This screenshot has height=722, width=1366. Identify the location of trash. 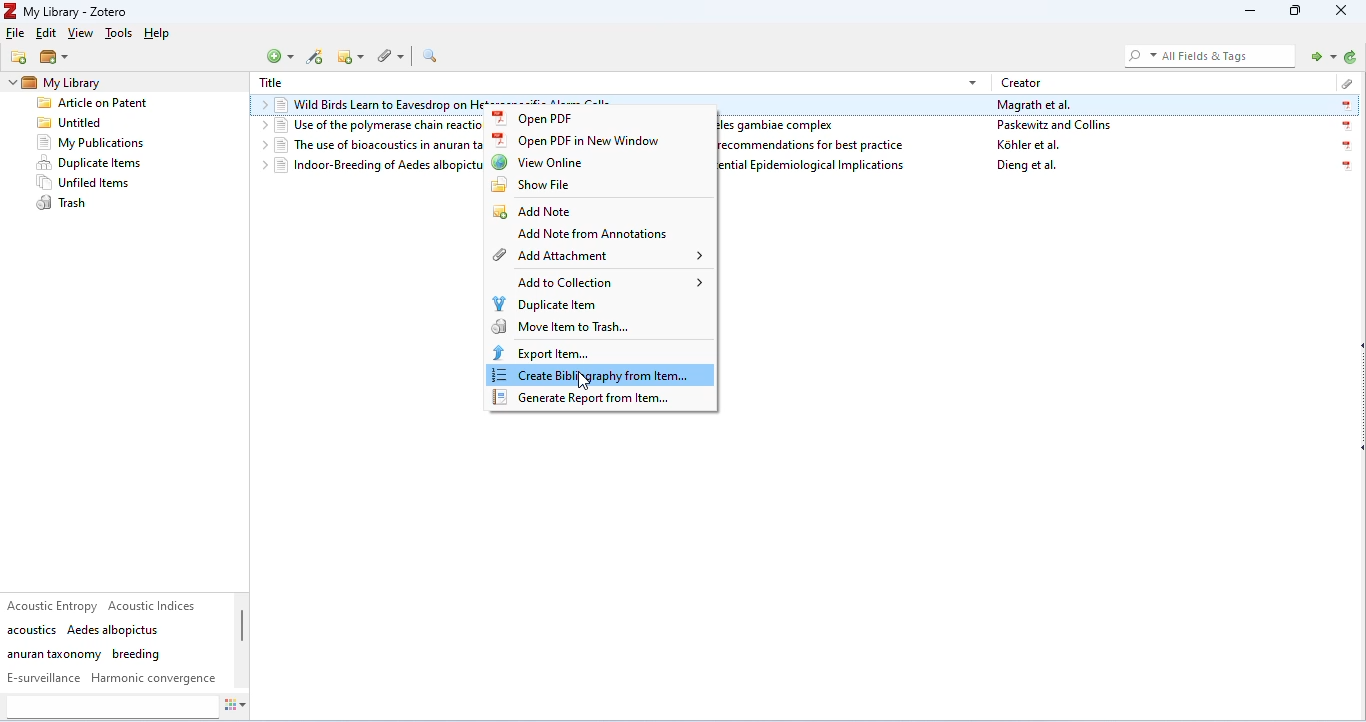
(63, 203).